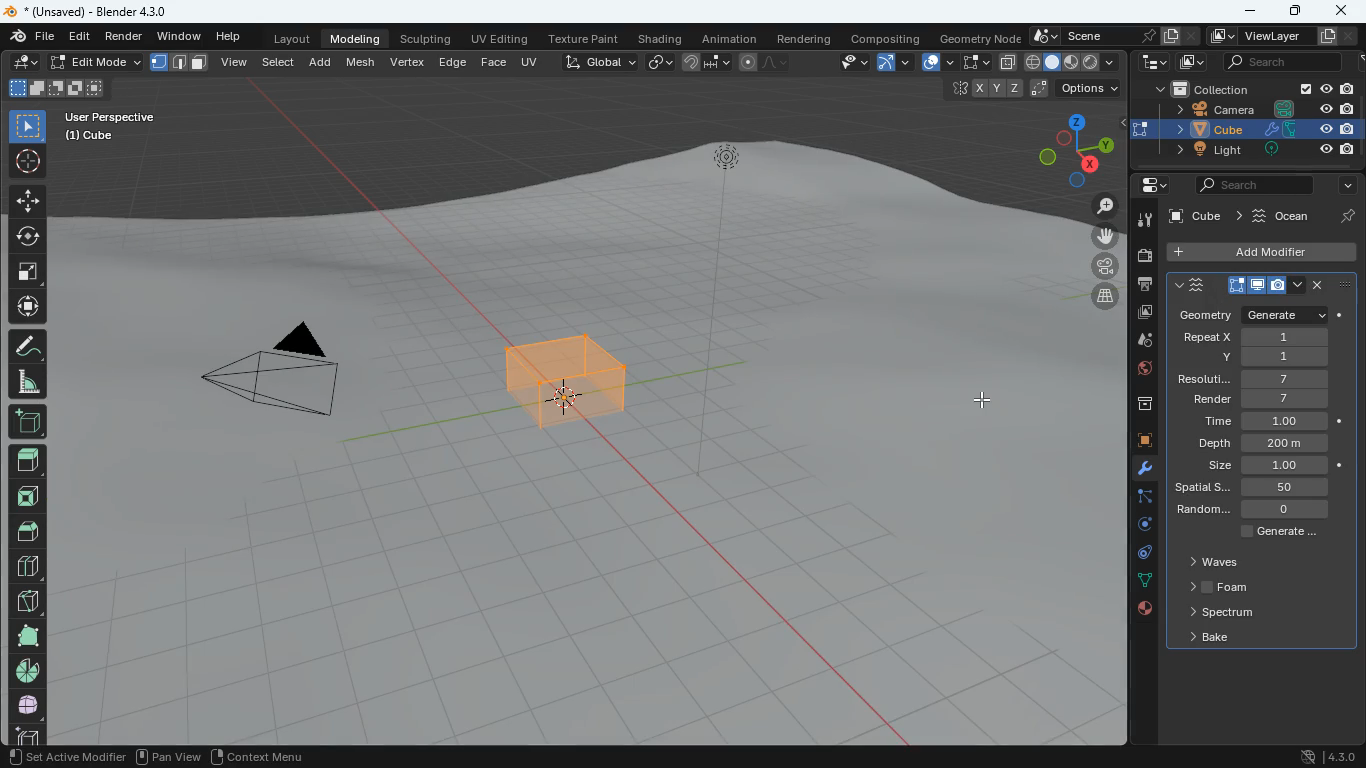 This screenshot has width=1366, height=768. What do you see at coordinates (984, 399) in the screenshot?
I see `cursor` at bounding box center [984, 399].